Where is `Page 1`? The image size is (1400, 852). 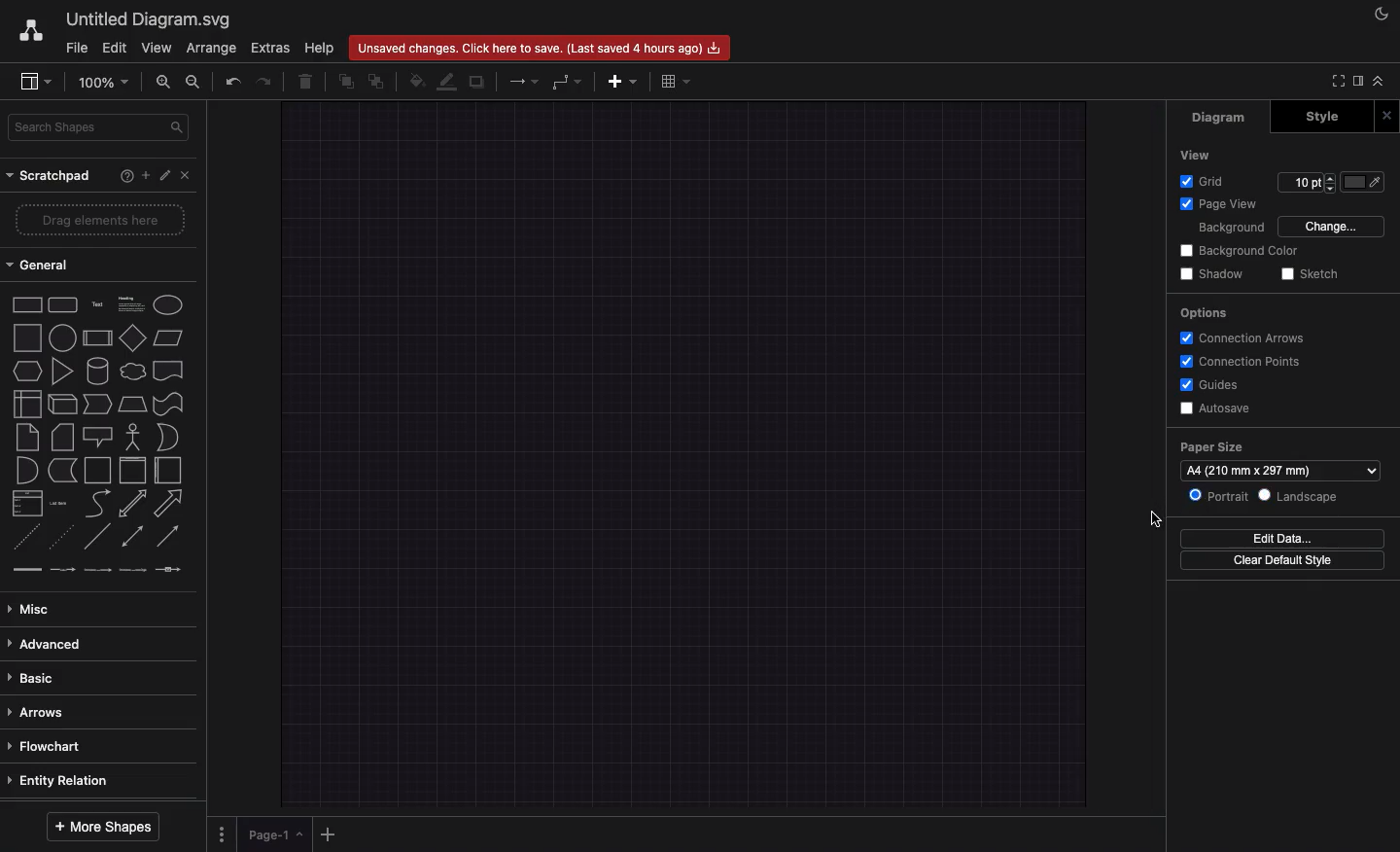
Page 1 is located at coordinates (275, 834).